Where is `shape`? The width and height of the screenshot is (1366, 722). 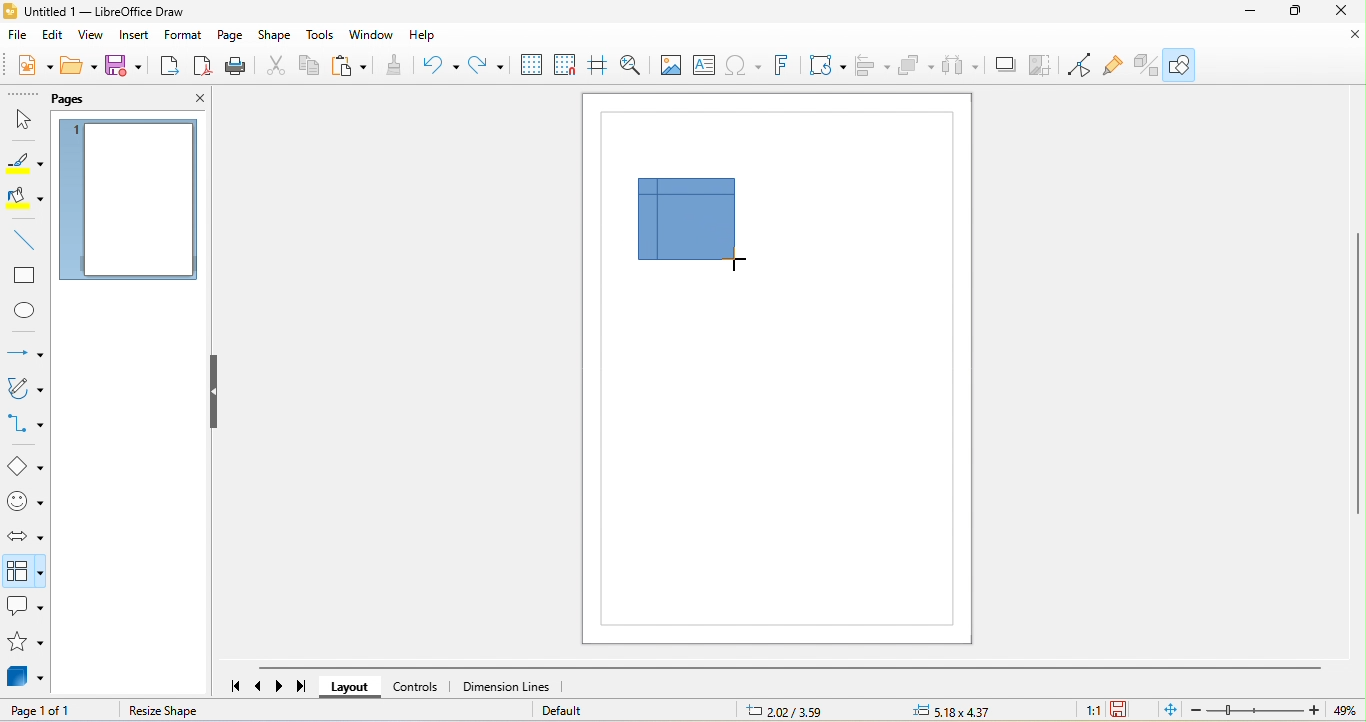 shape is located at coordinates (276, 36).